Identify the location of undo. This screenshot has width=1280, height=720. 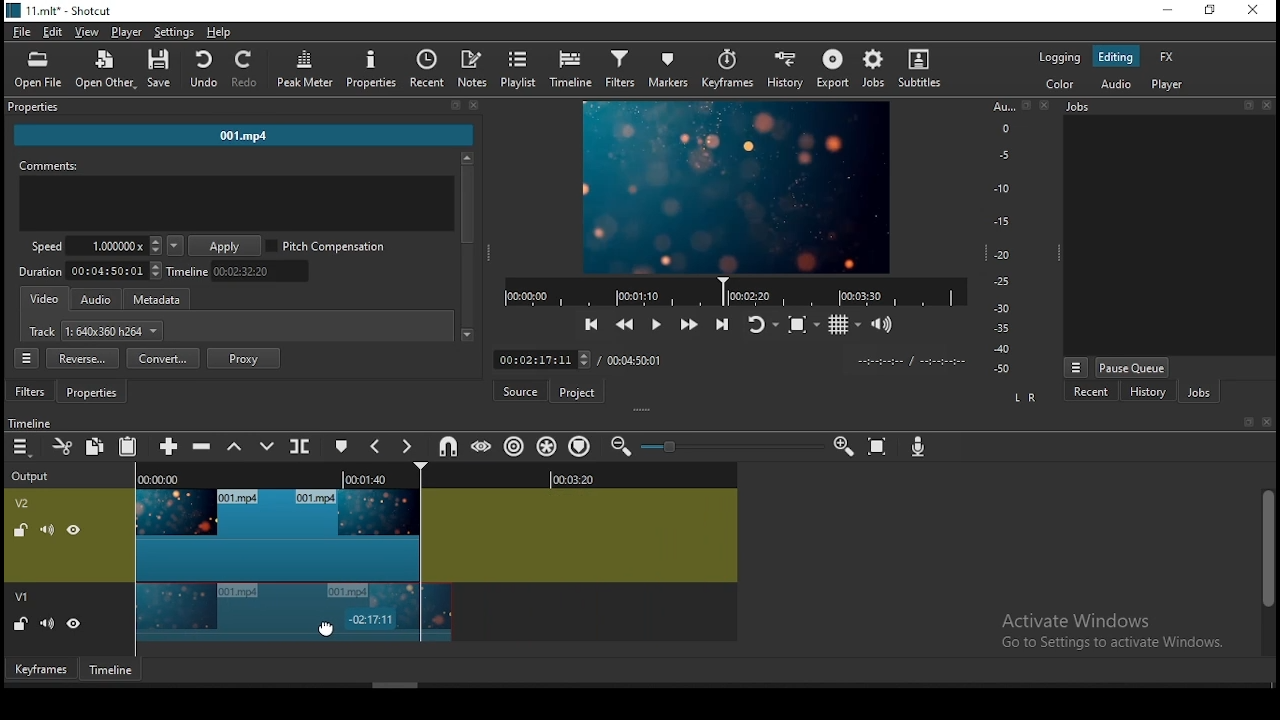
(203, 70).